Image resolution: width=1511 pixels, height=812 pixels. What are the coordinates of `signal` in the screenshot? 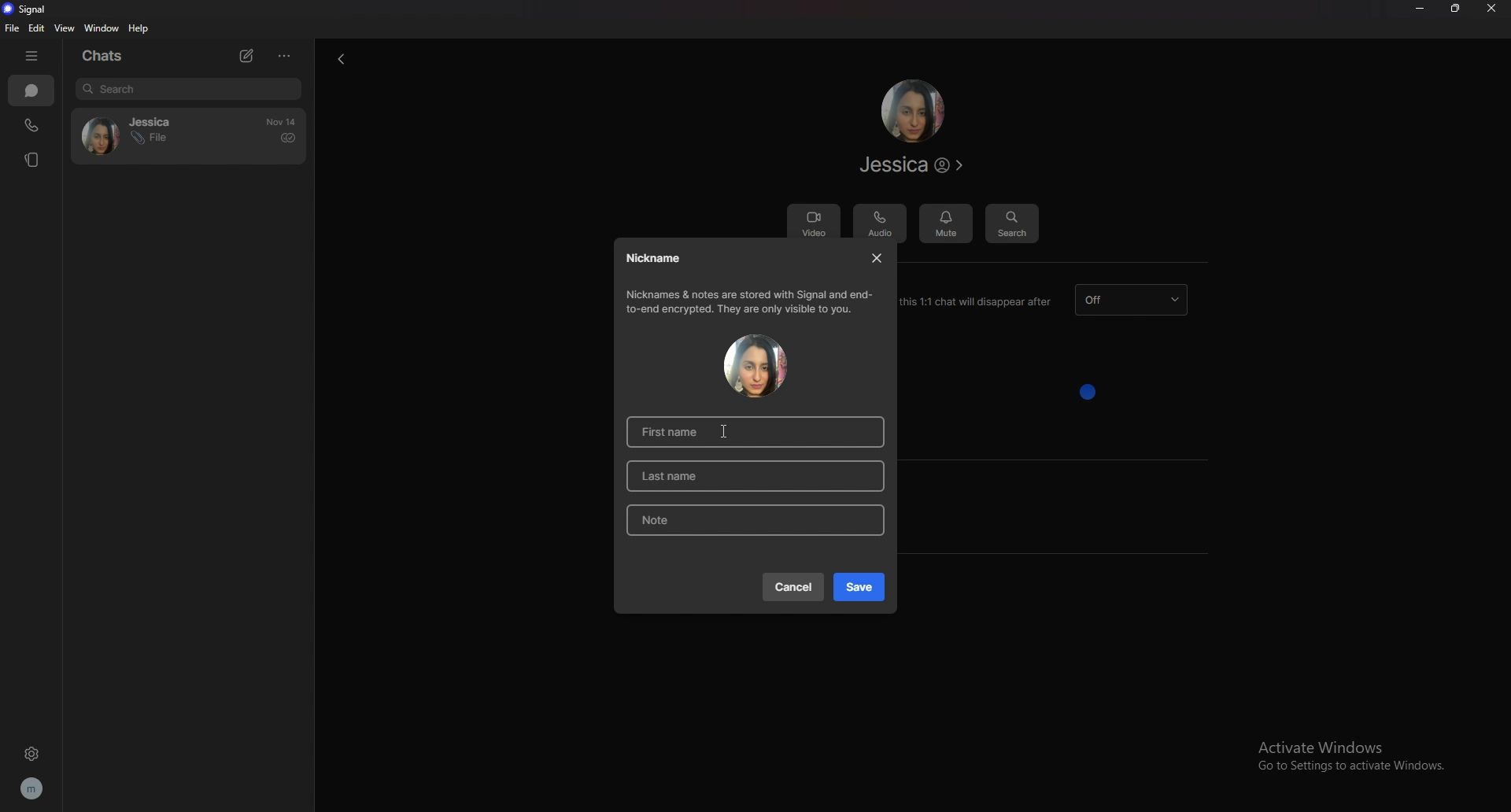 It's located at (26, 9).